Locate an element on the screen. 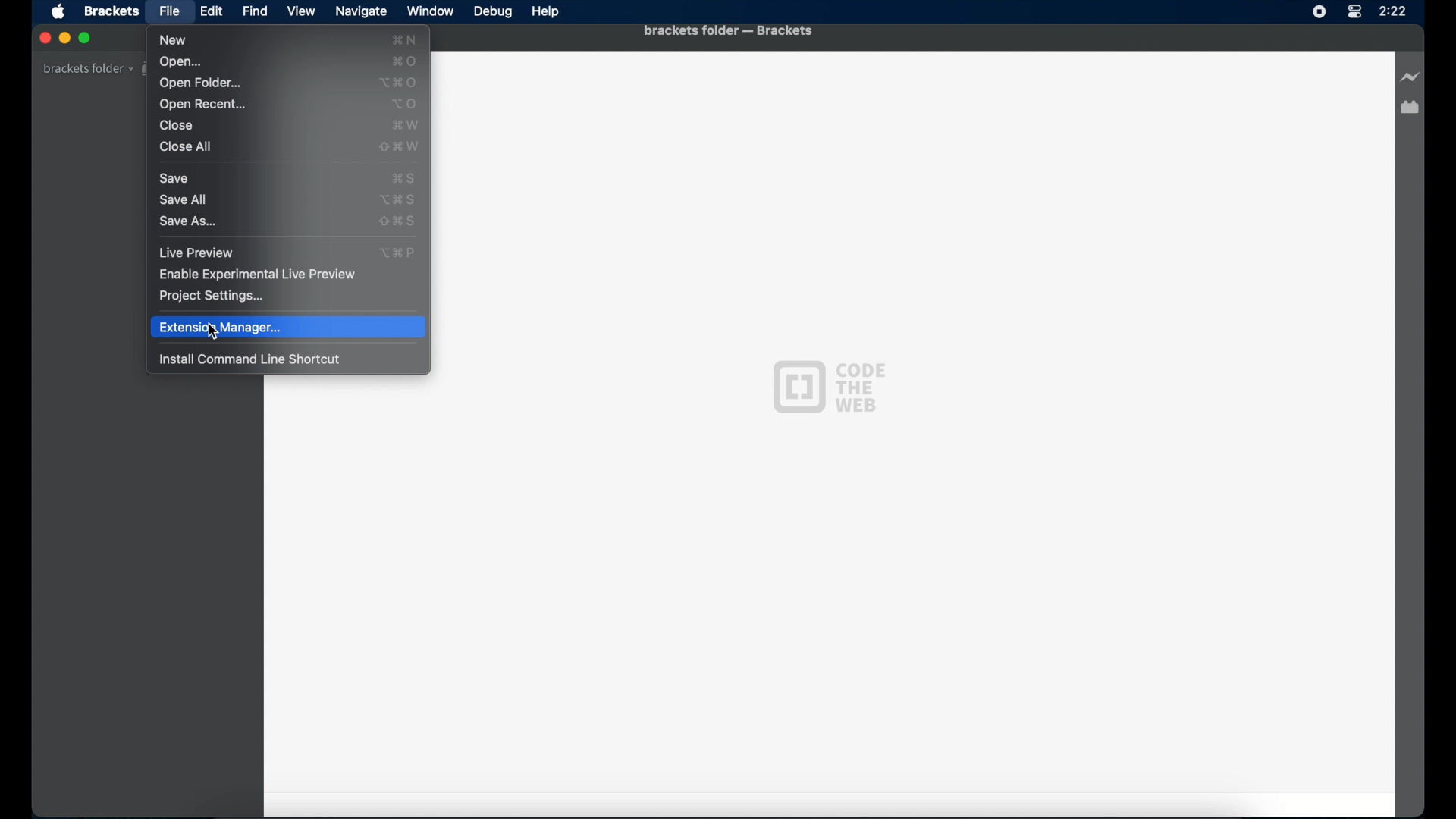 Image resolution: width=1456 pixels, height=819 pixels. live preview is located at coordinates (1408, 77).